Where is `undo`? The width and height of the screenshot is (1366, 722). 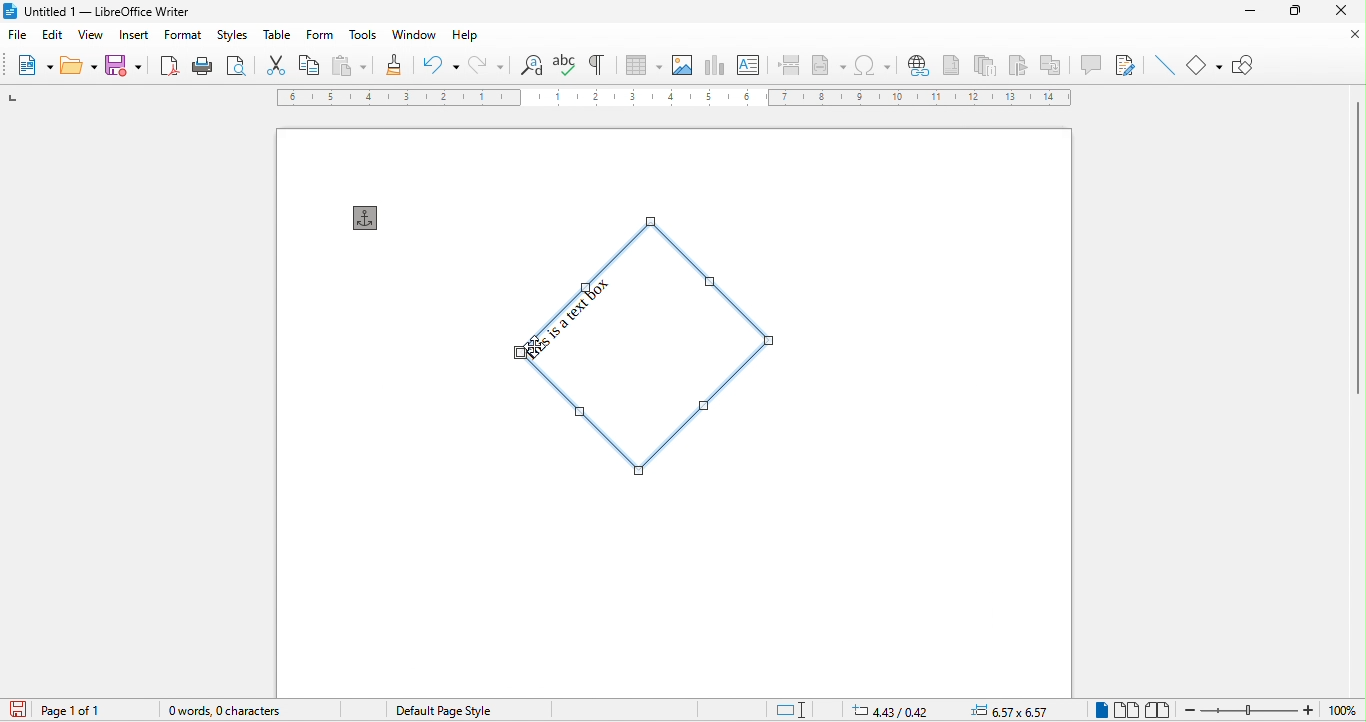
undo is located at coordinates (438, 65).